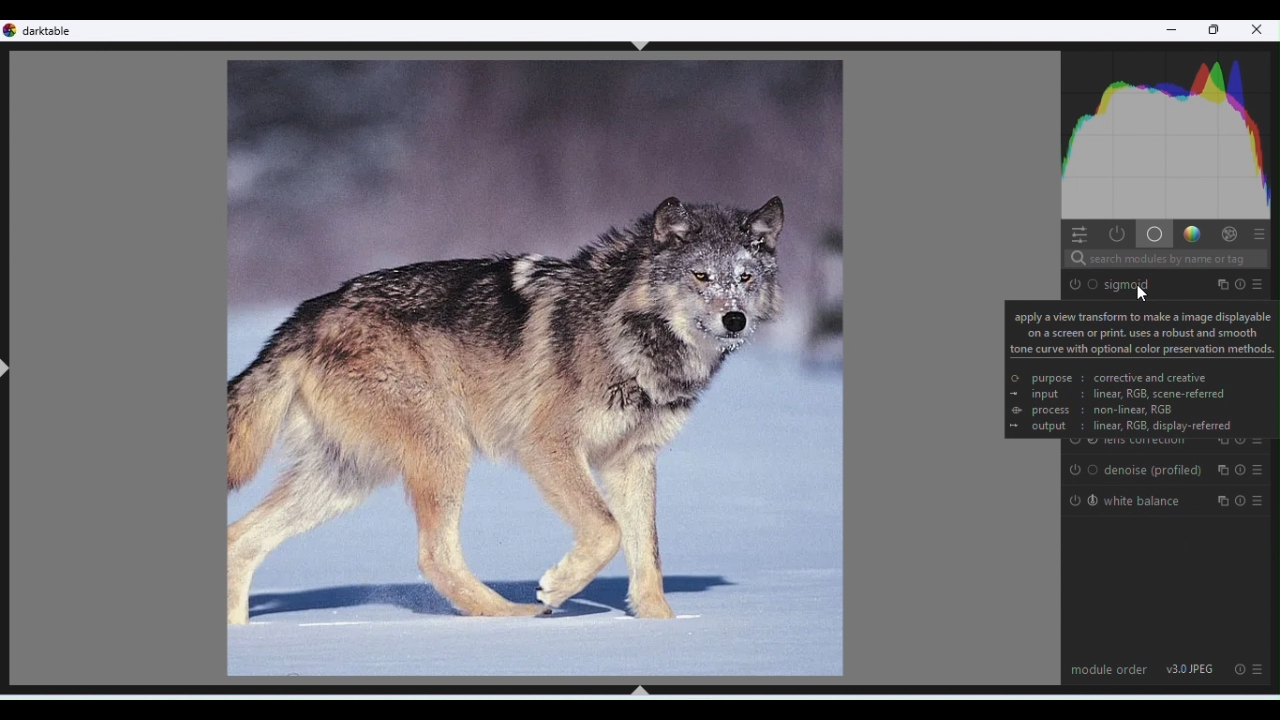 The image size is (1280, 720). I want to click on Preset , so click(1260, 233).